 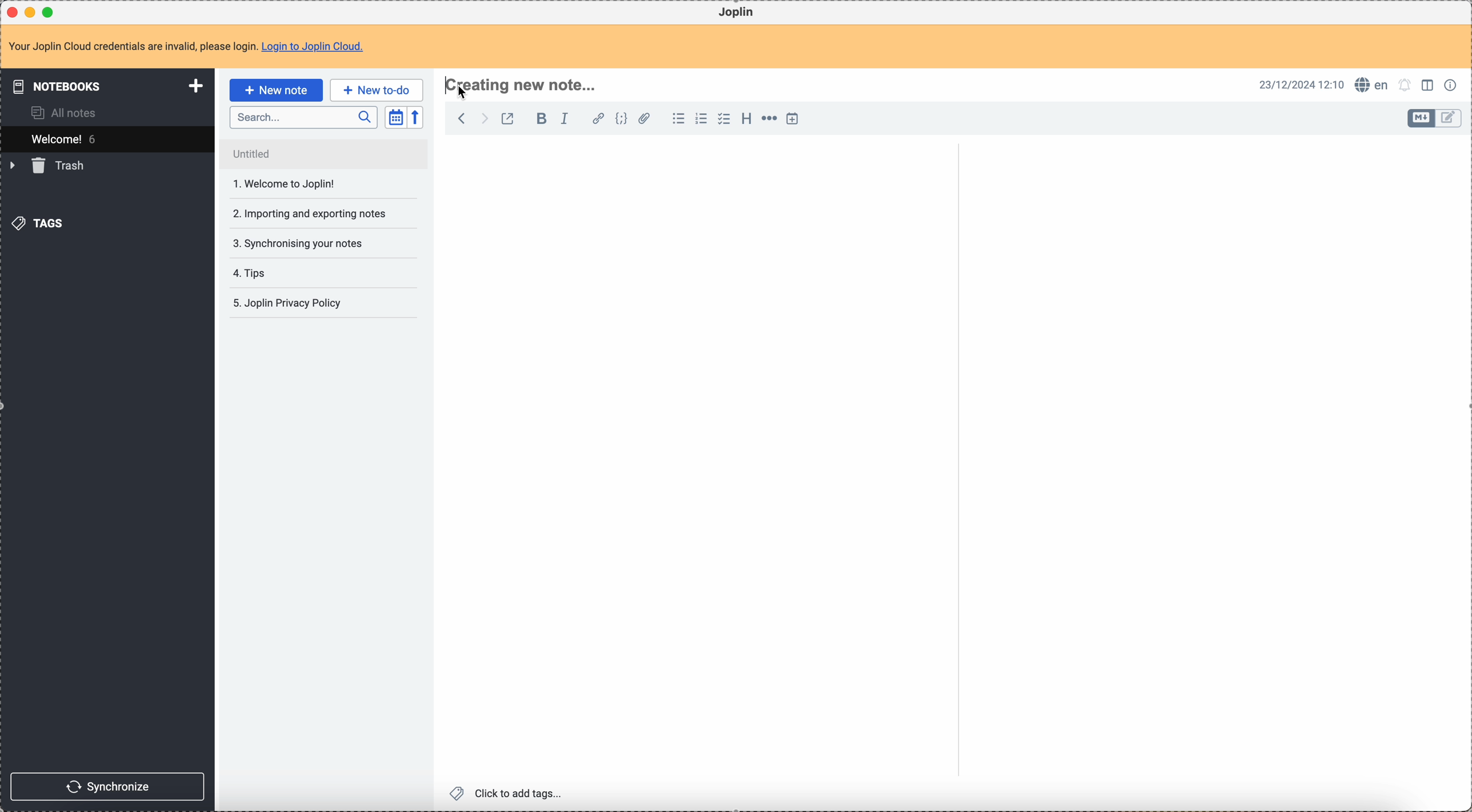 What do you see at coordinates (1451, 86) in the screenshot?
I see `note properties` at bounding box center [1451, 86].